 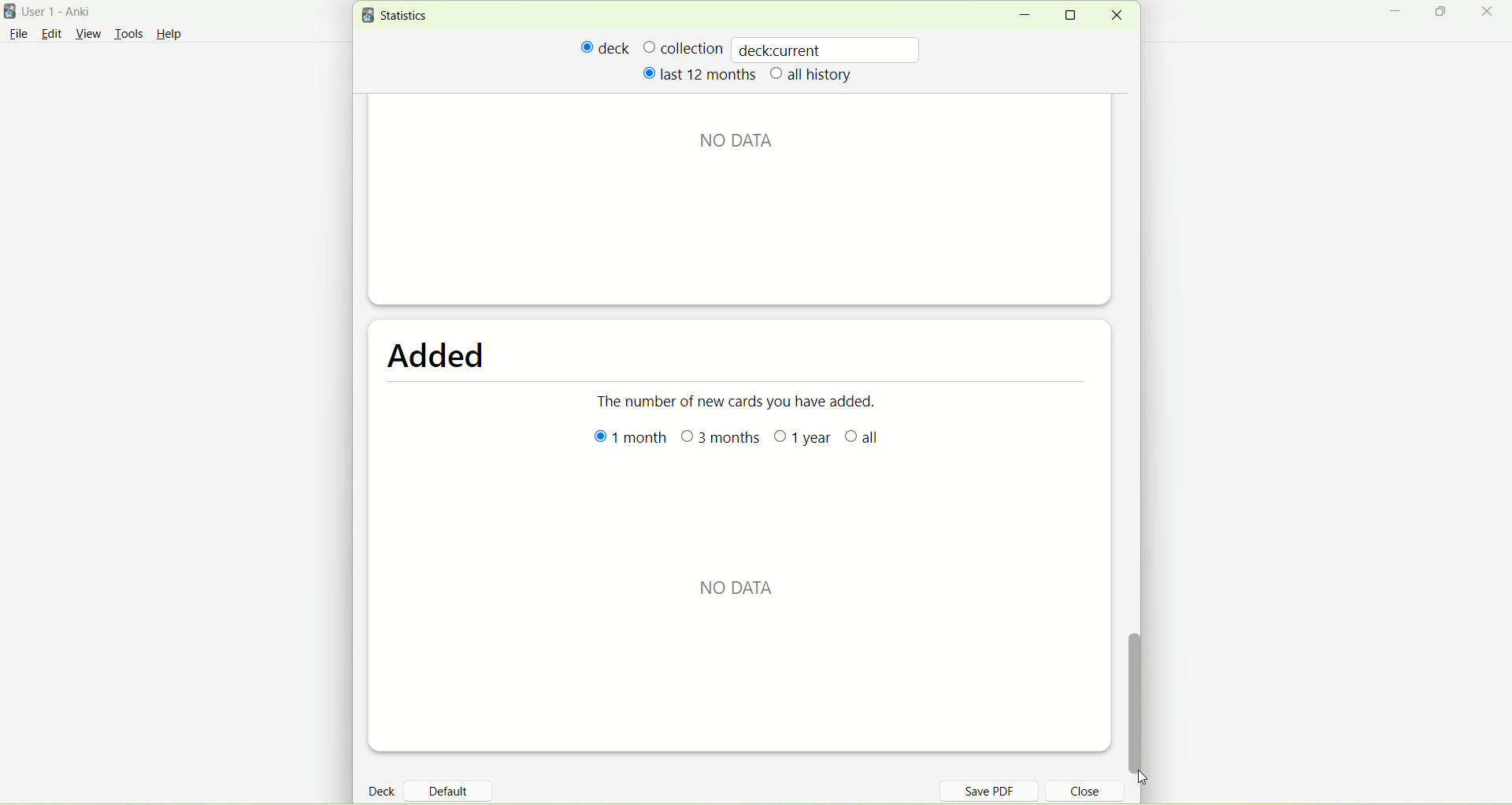 I want to click on last 12 months, so click(x=698, y=73).